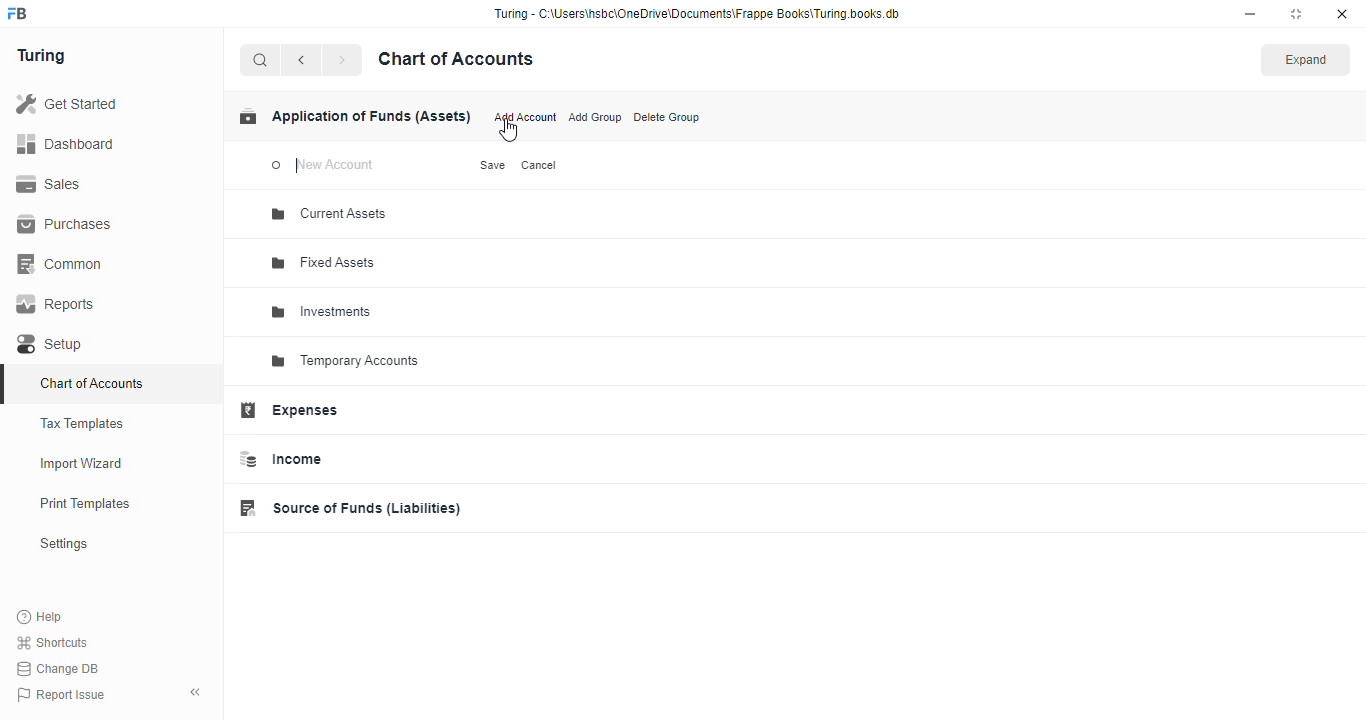 This screenshot has height=720, width=1366. I want to click on turing, so click(40, 56).